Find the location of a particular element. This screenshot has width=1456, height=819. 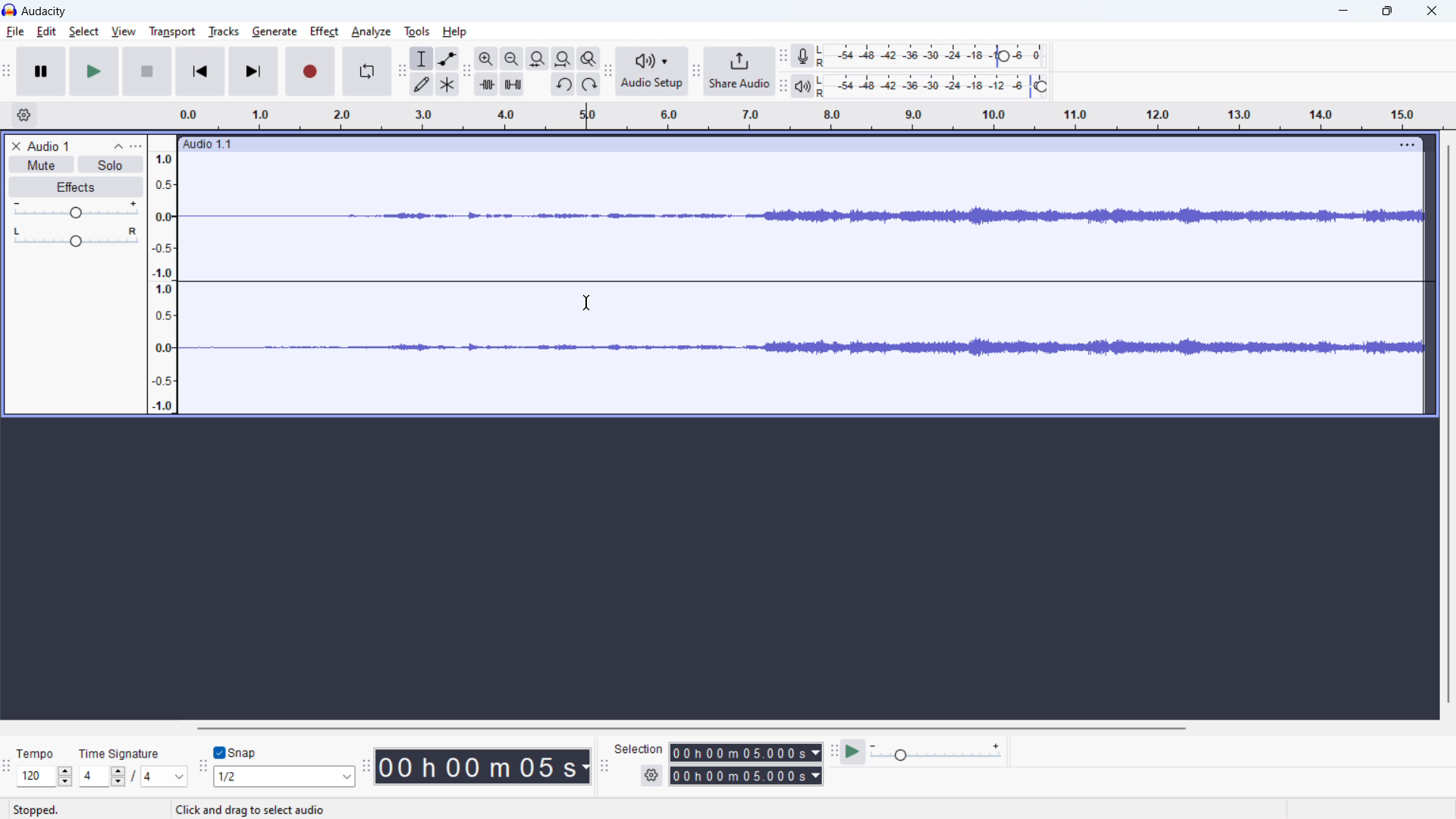

fit selection to width is located at coordinates (538, 58).